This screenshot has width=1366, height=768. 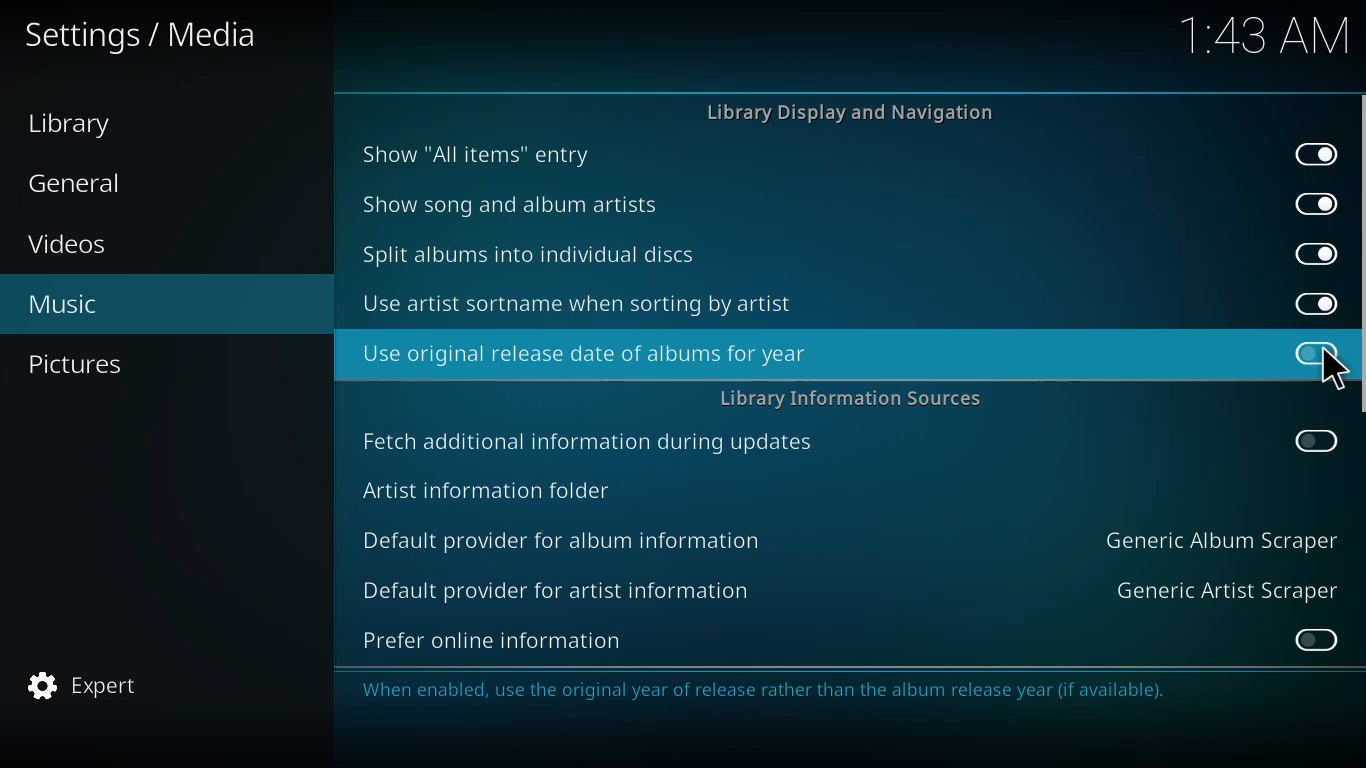 I want to click on enabled, so click(x=1313, y=251).